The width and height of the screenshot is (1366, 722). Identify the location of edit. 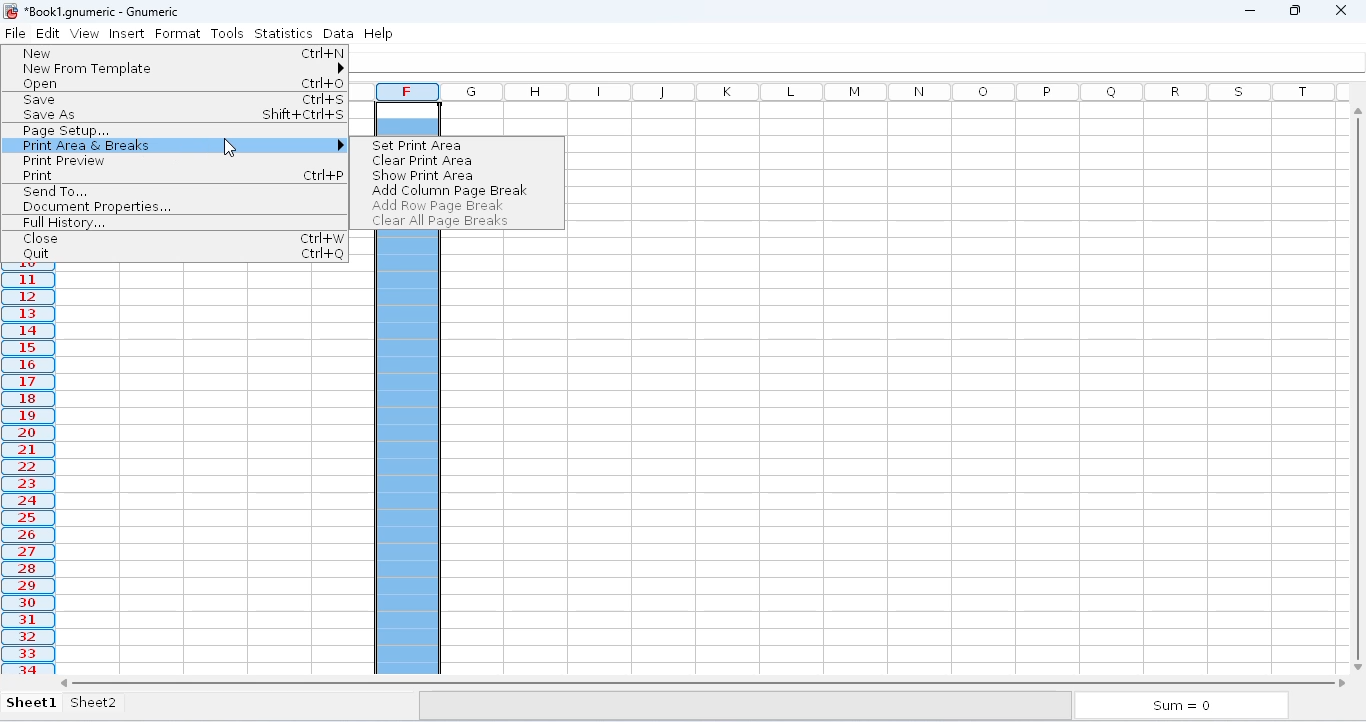
(51, 32).